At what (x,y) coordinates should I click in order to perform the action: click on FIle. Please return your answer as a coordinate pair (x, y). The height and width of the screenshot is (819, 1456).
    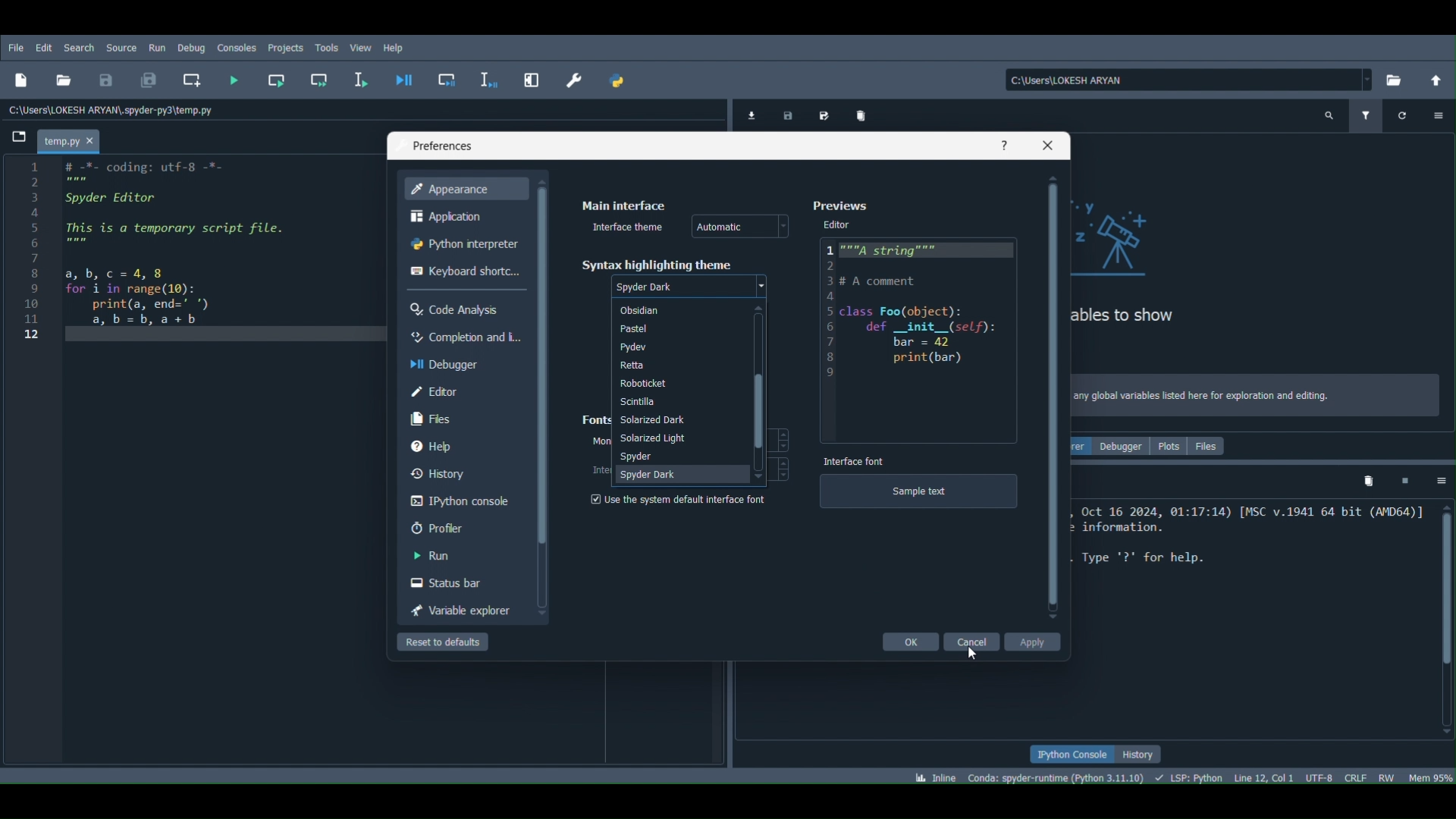
    Looking at the image, I should click on (14, 43).